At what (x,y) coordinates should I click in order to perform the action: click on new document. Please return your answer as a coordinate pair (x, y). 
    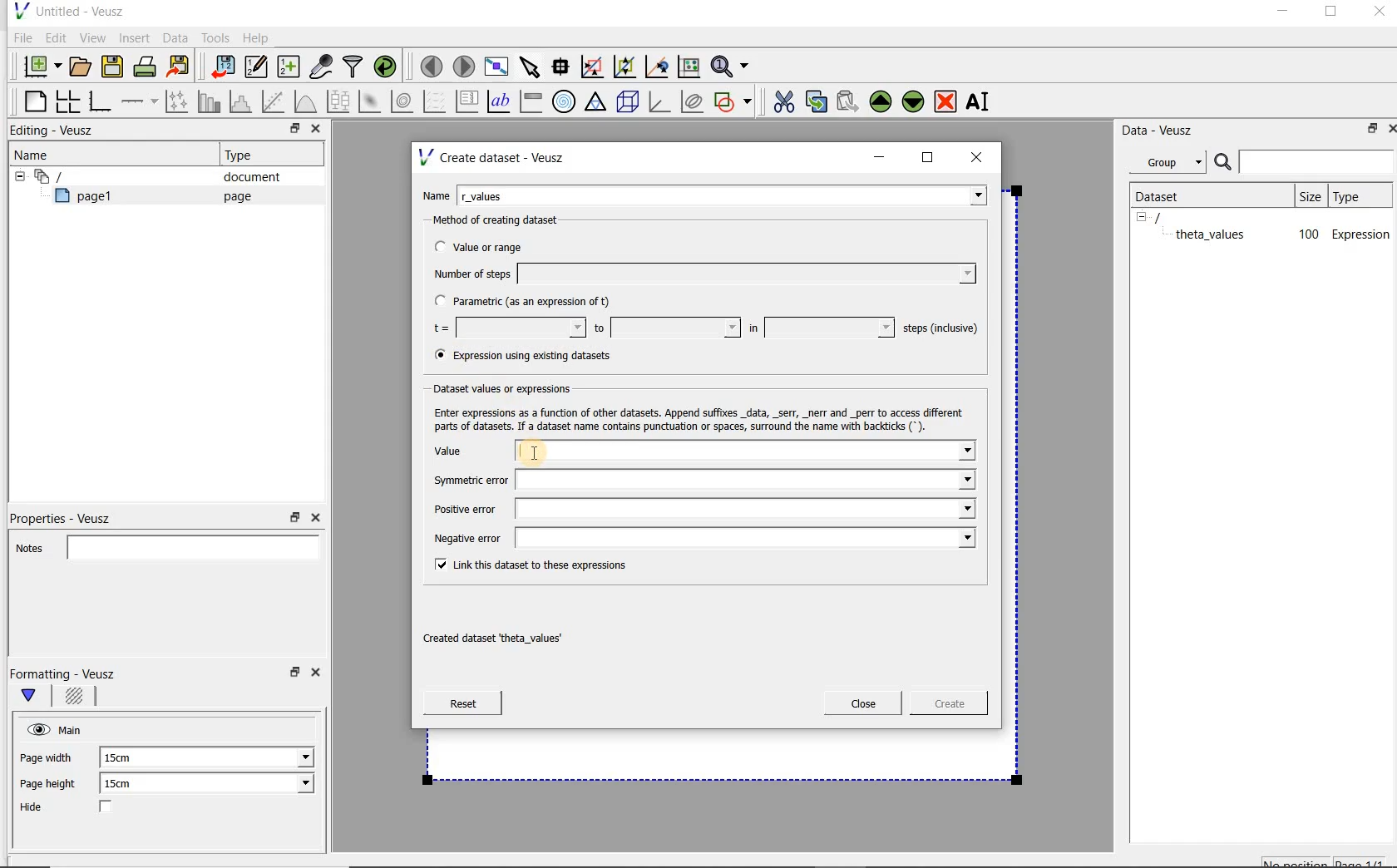
    Looking at the image, I should click on (38, 64).